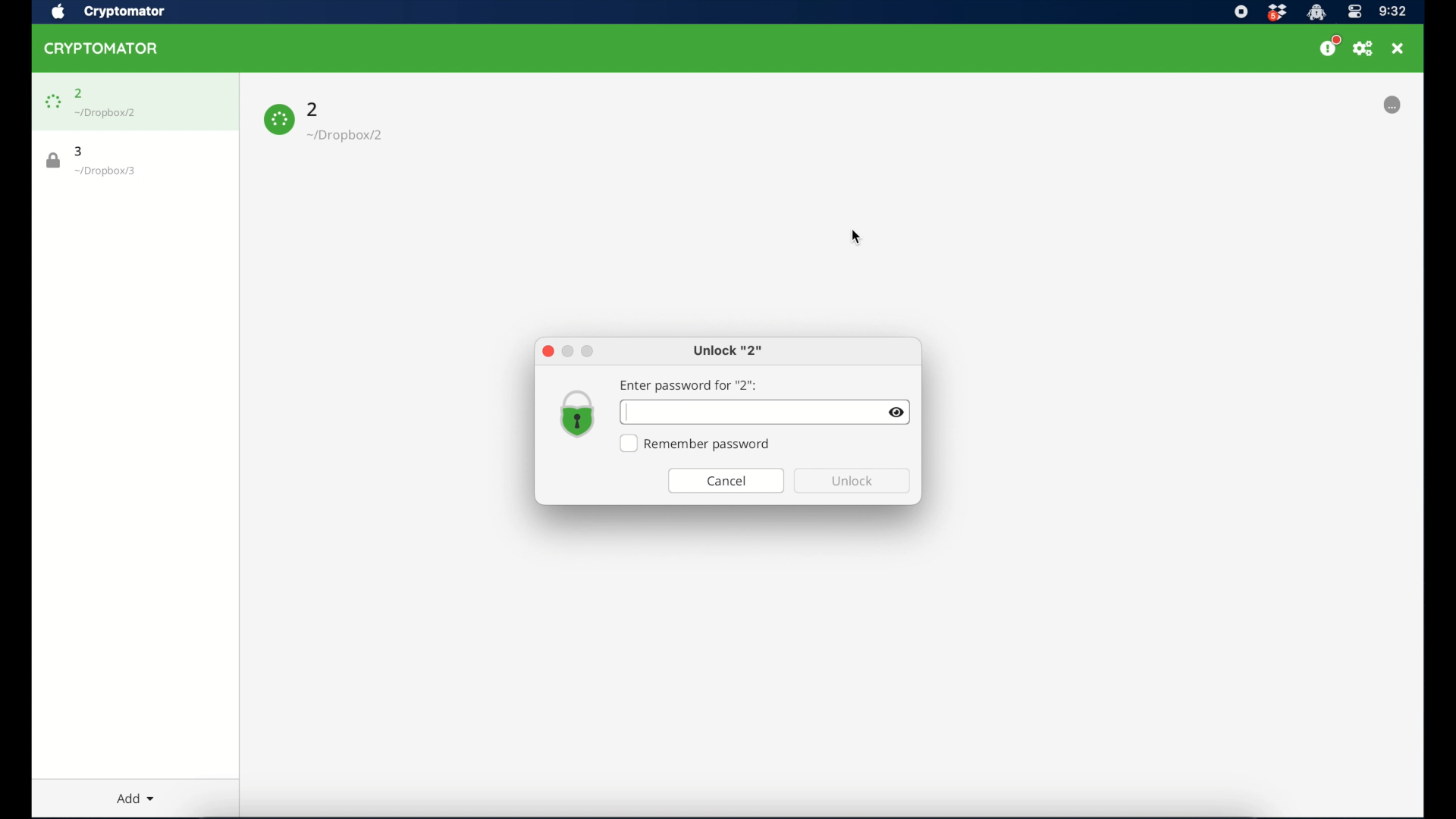 The width and height of the screenshot is (1456, 819). I want to click on enter password, so click(688, 386).